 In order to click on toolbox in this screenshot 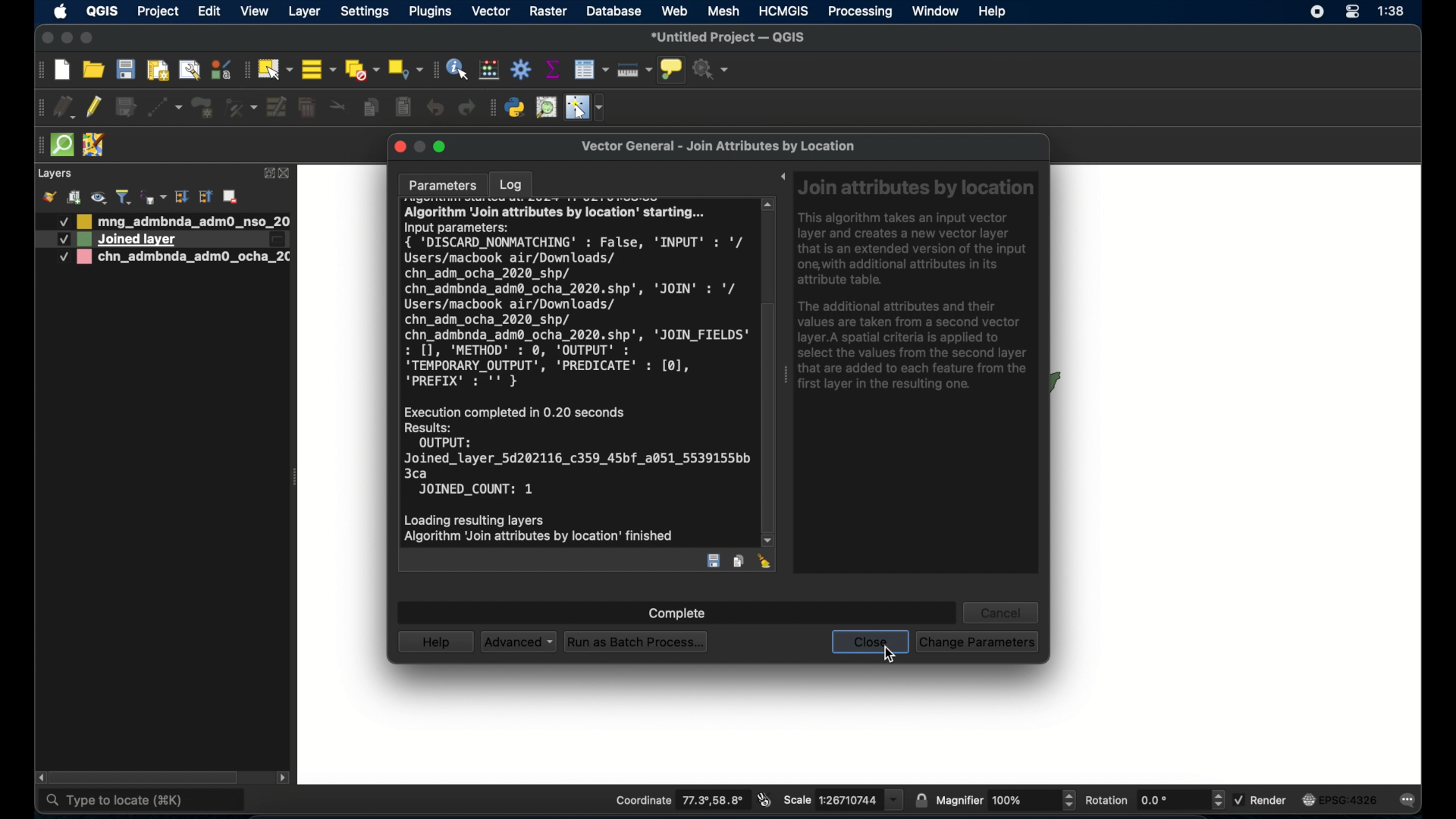, I will do `click(521, 68)`.